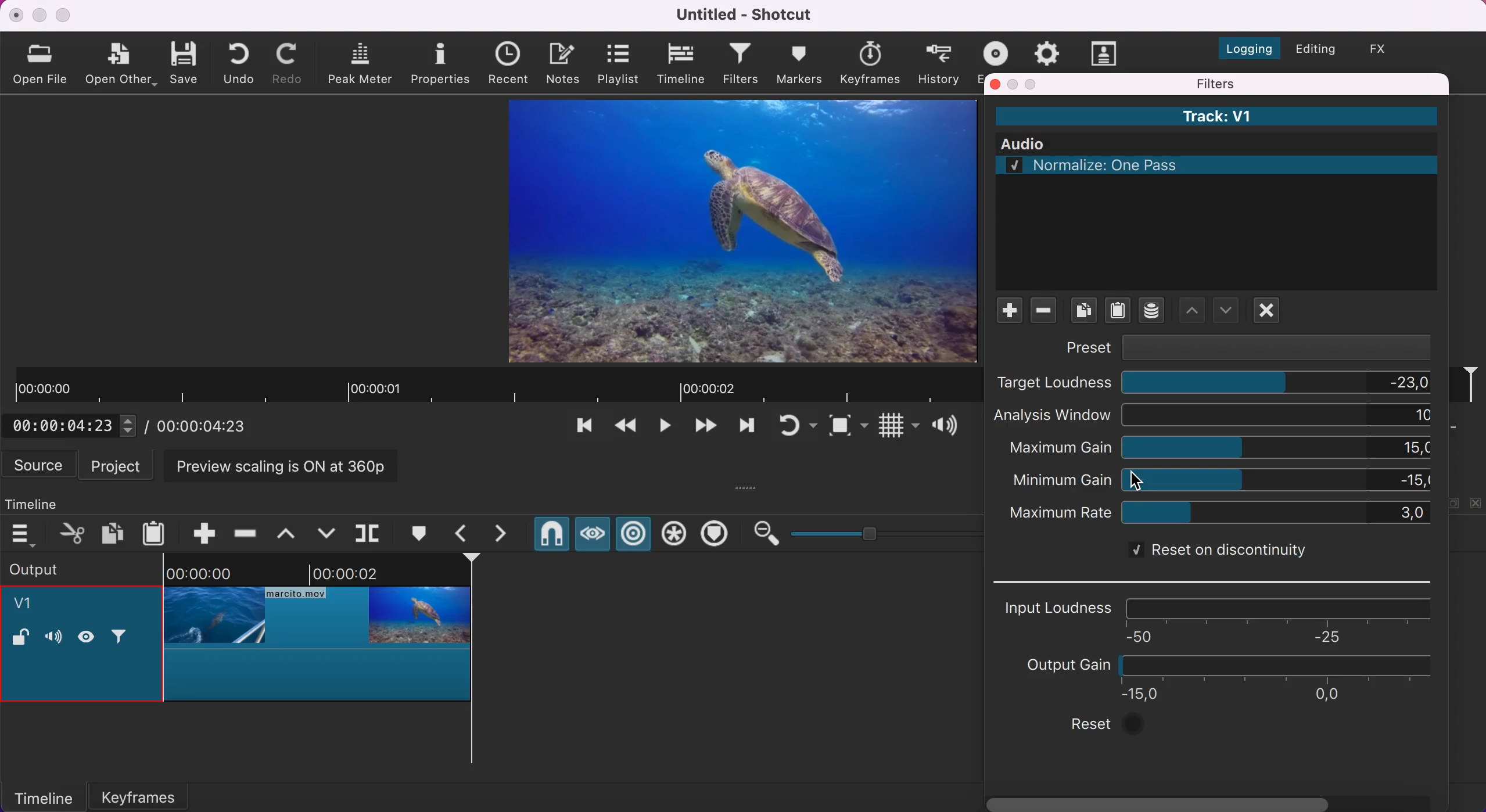 The width and height of the screenshot is (1486, 812). Describe the element at coordinates (1006, 311) in the screenshot. I see `add filter` at that location.